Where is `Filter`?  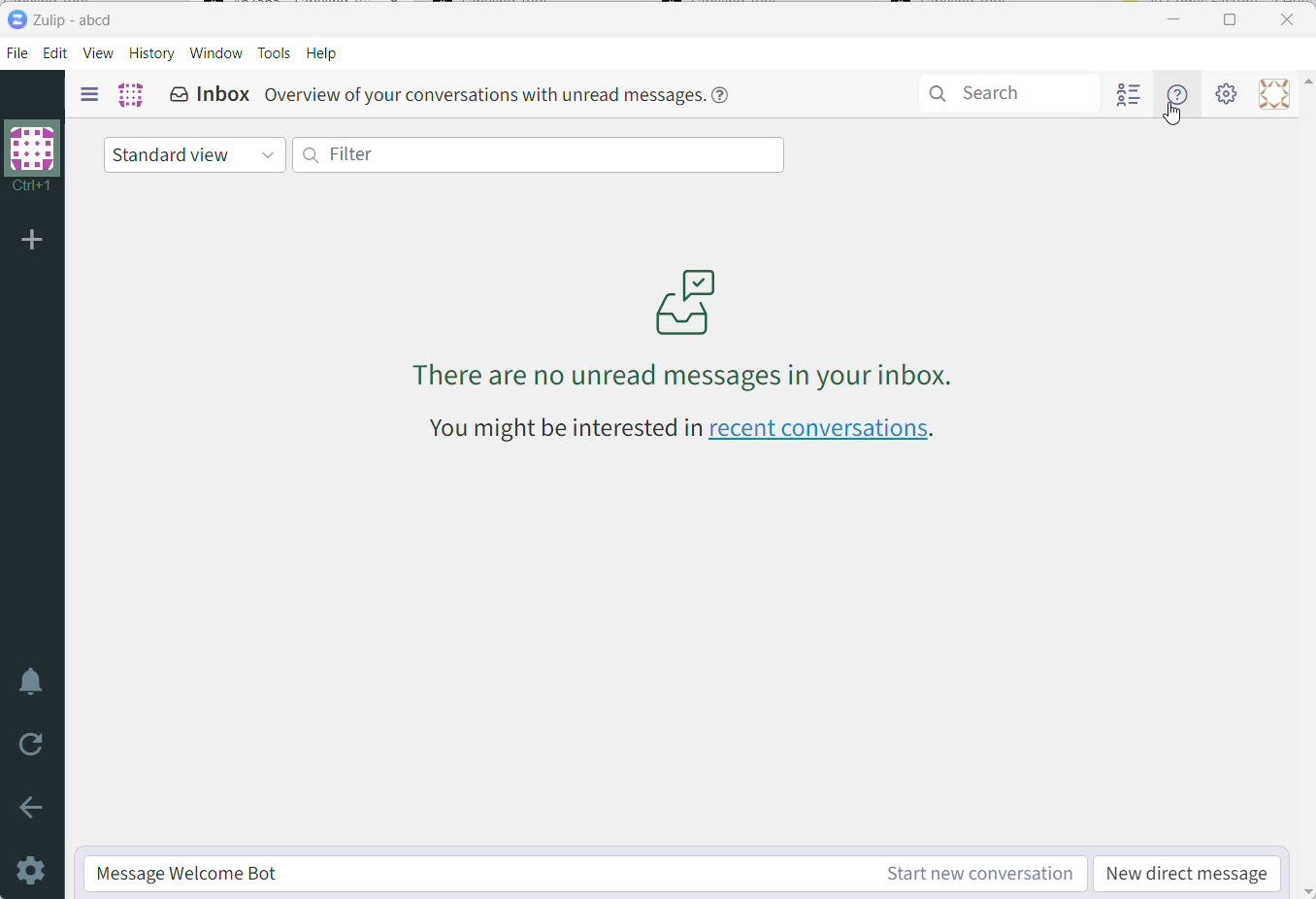
Filter is located at coordinates (540, 154).